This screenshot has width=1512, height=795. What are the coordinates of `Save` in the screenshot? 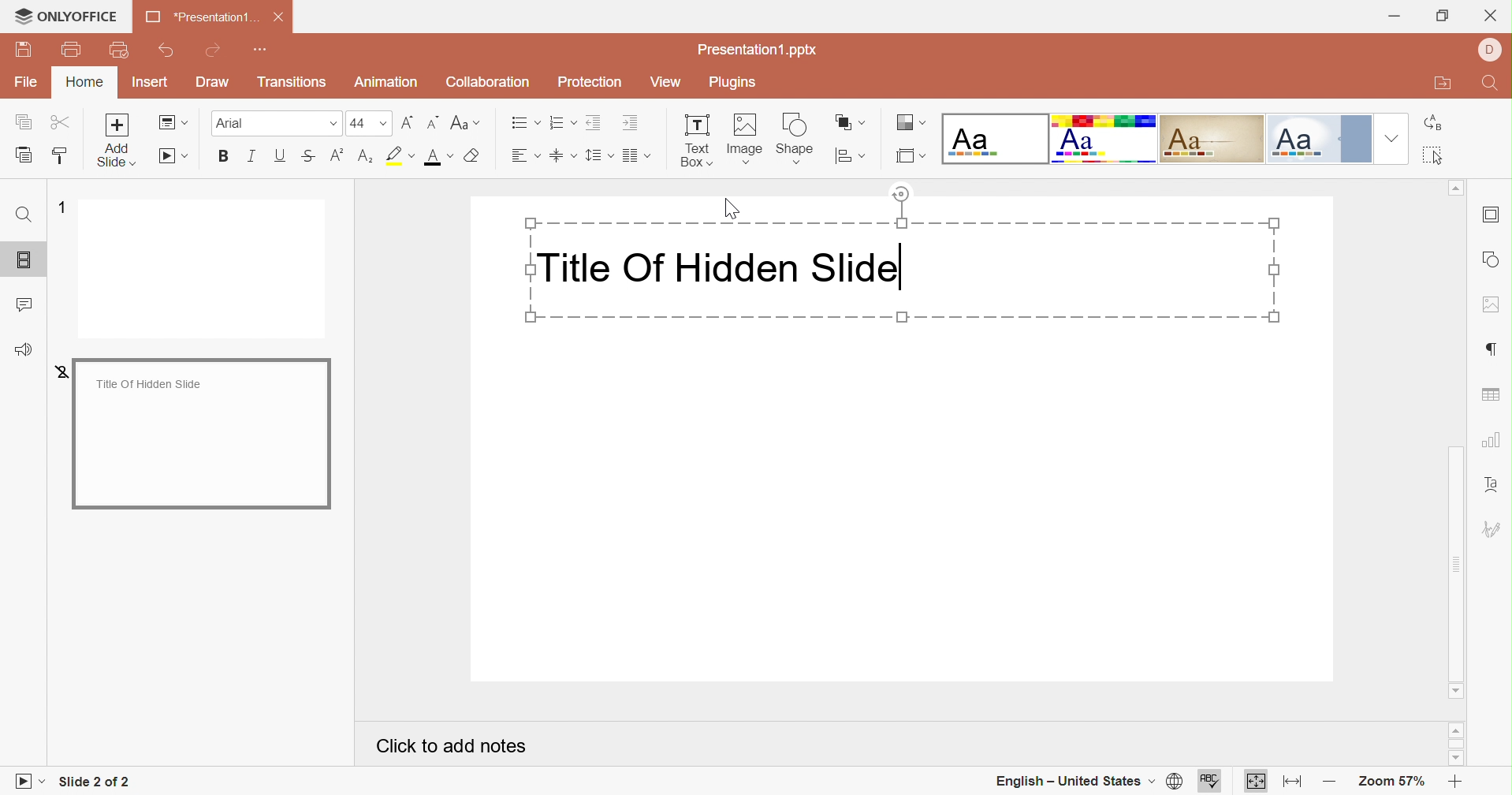 It's located at (23, 48).